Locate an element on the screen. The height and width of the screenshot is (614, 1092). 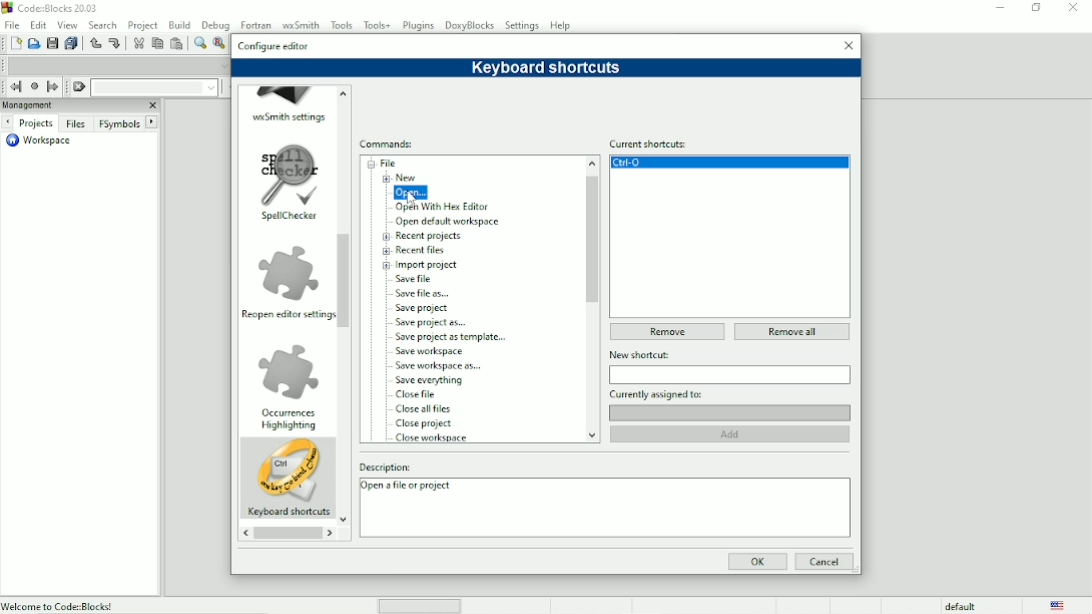
Remove all is located at coordinates (792, 331).